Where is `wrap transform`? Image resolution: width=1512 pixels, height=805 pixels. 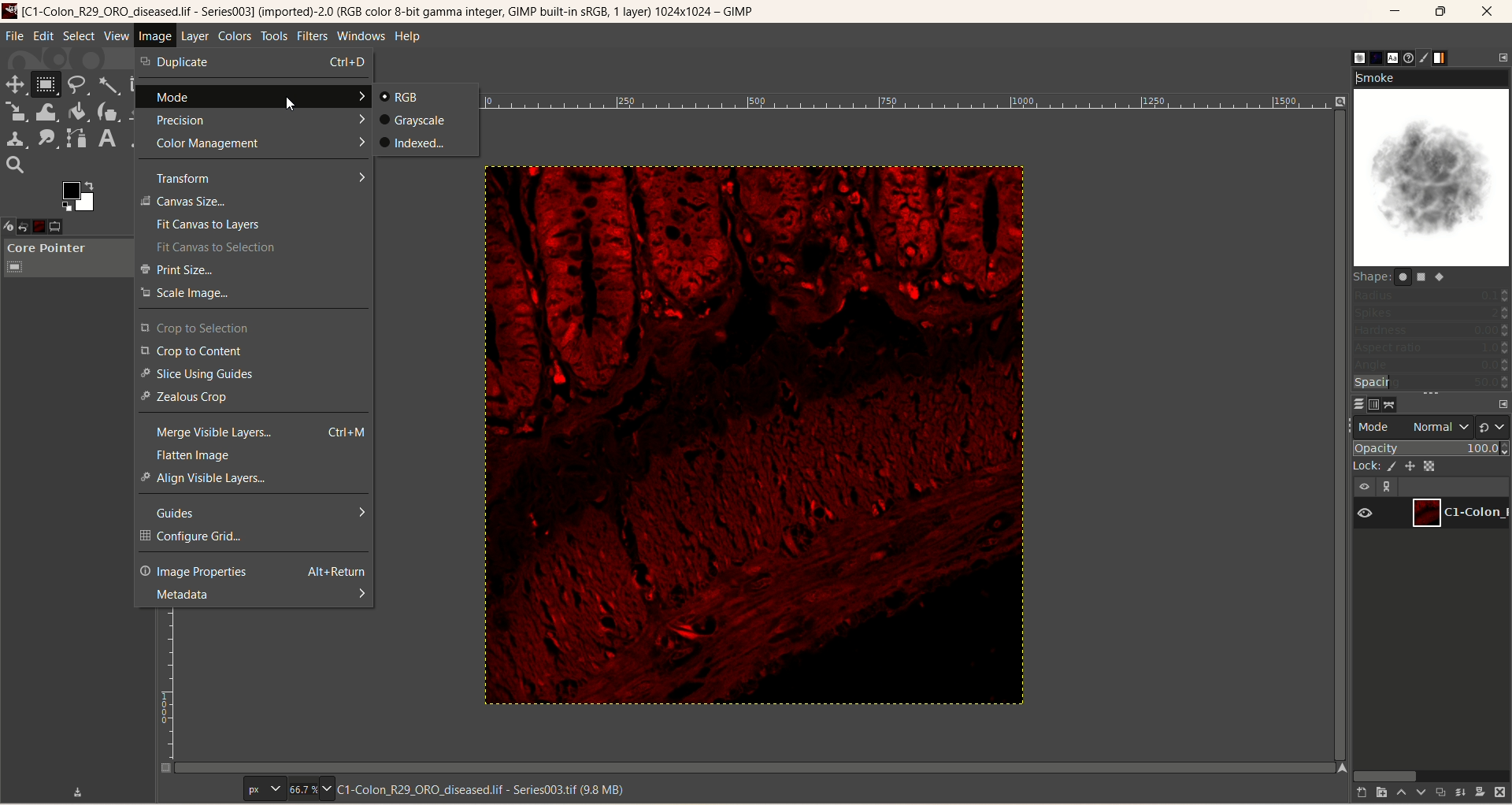
wrap transform is located at coordinates (48, 113).